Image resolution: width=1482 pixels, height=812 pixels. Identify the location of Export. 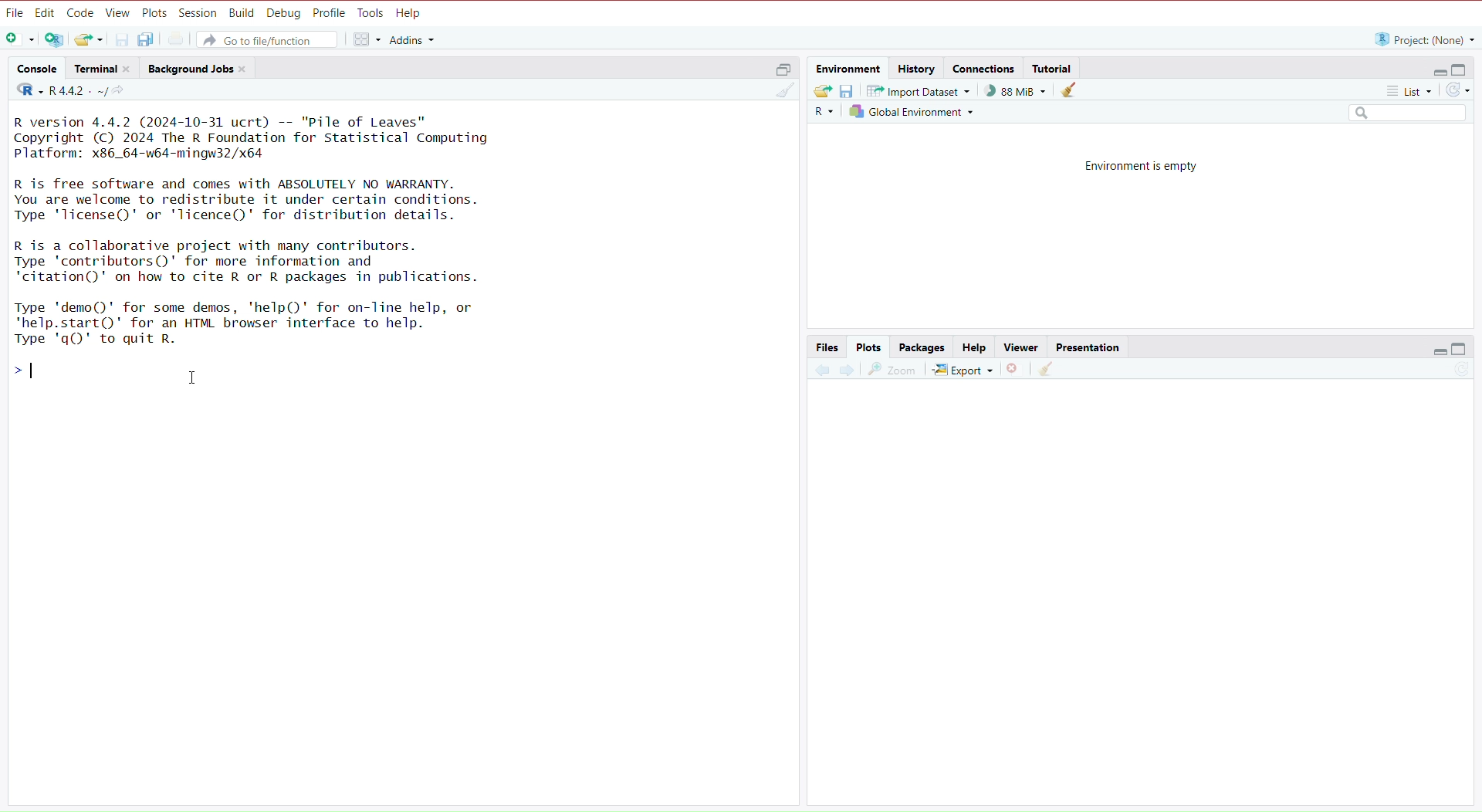
(963, 370).